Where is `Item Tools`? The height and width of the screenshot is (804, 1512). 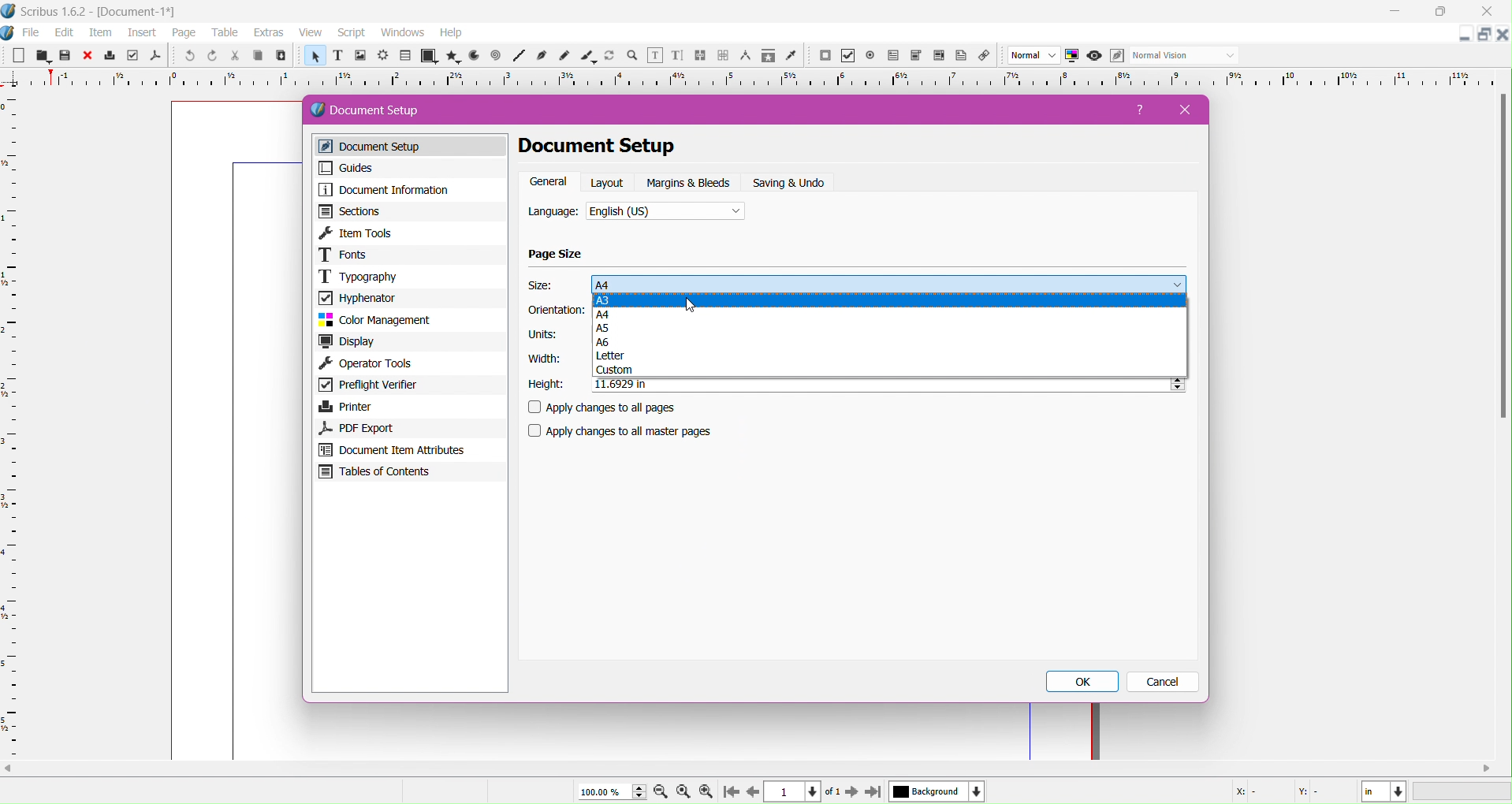
Item Tools is located at coordinates (412, 233).